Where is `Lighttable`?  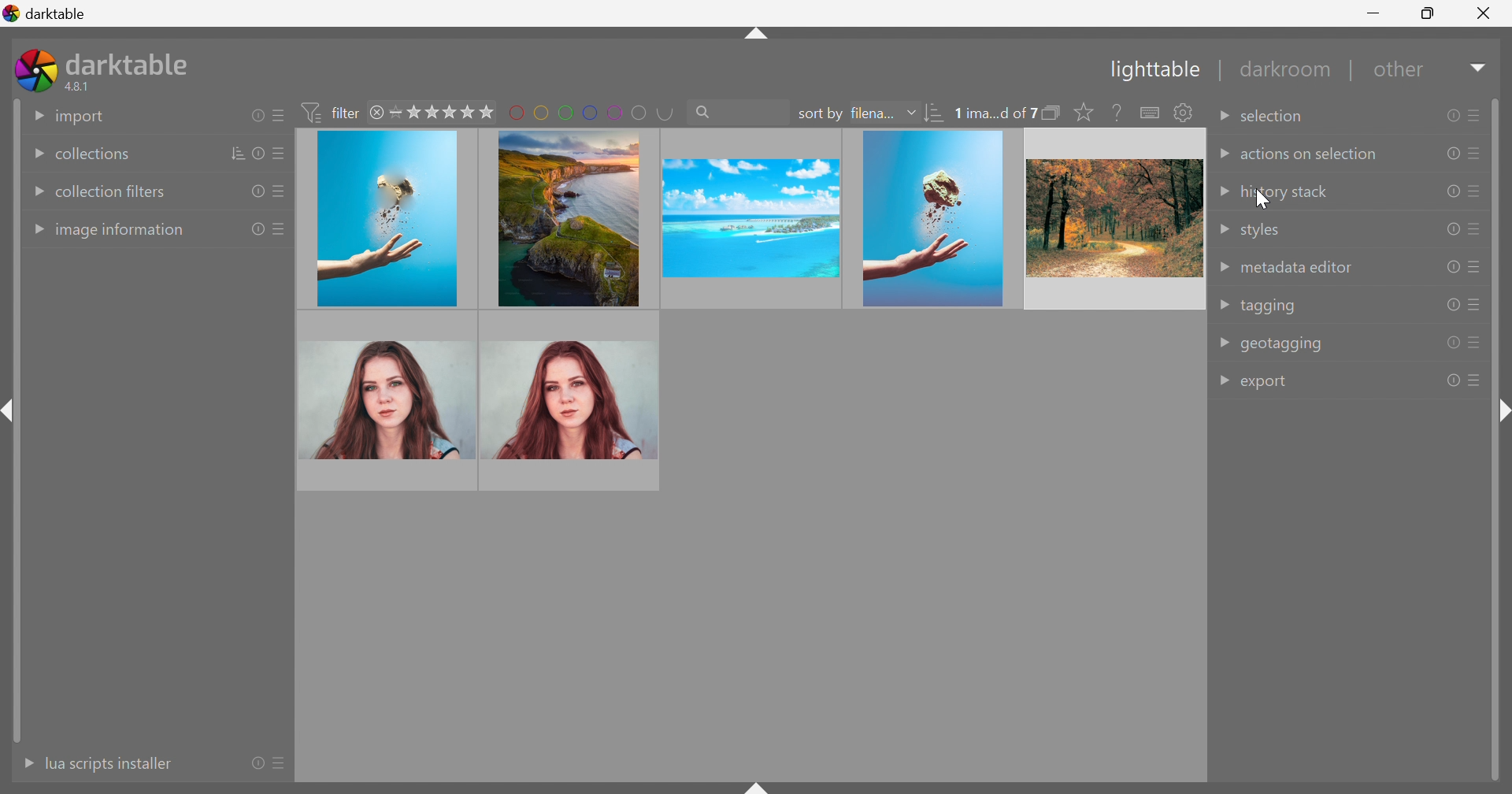 Lighttable is located at coordinates (1151, 72).